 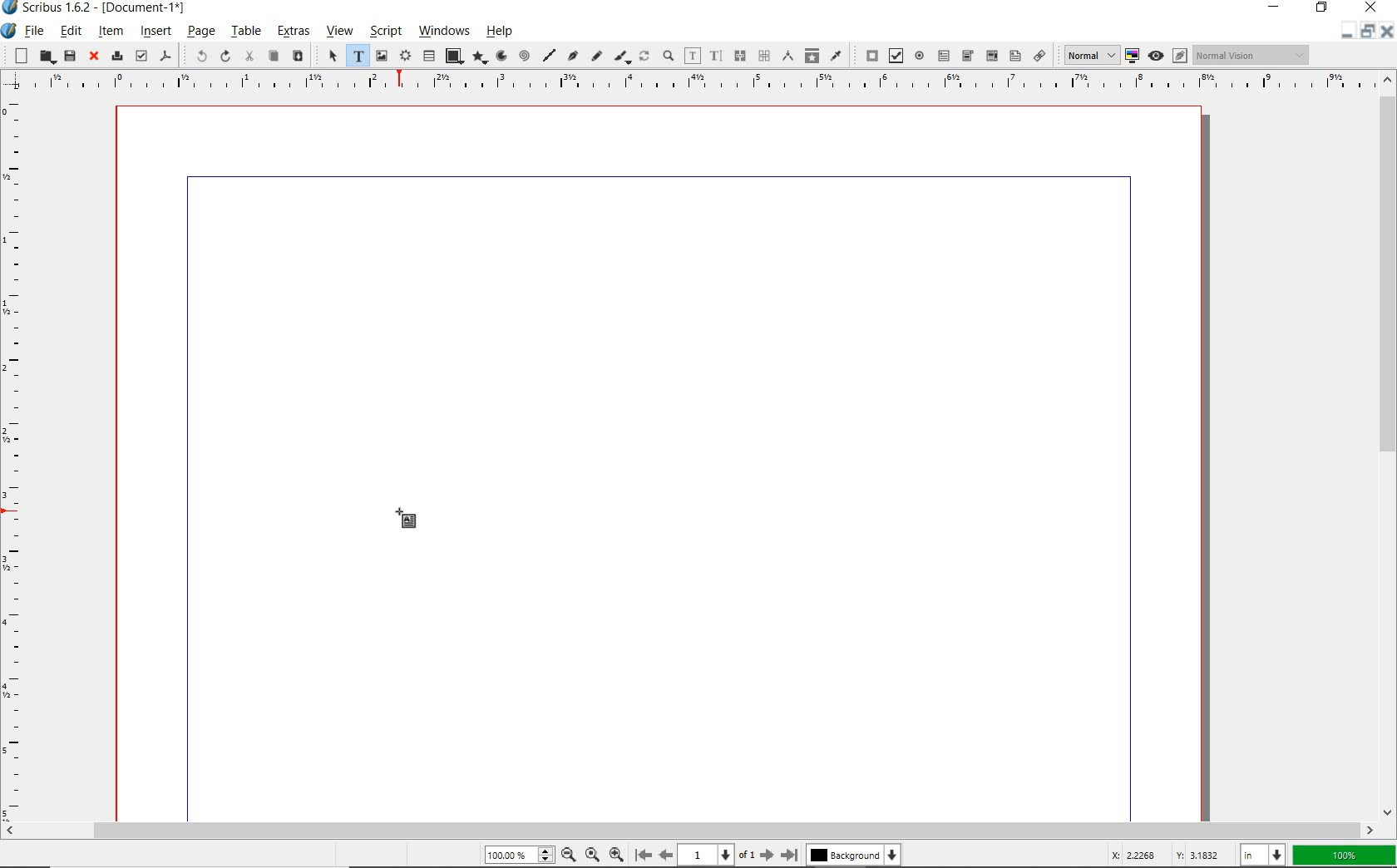 I want to click on freehand line, so click(x=595, y=57).